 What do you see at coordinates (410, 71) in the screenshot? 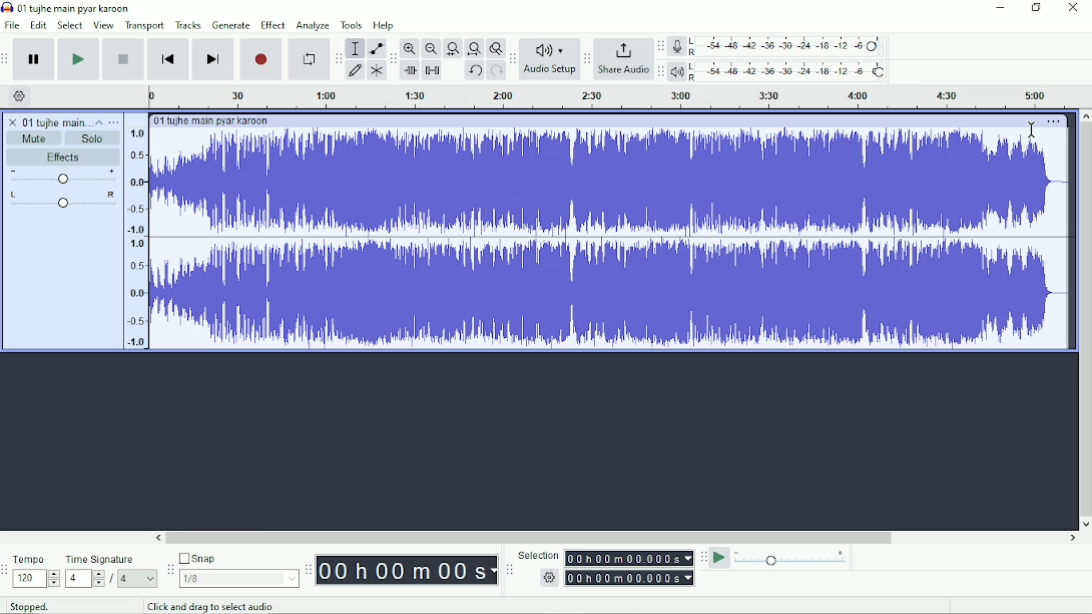
I see `Trim audio outside selection` at bounding box center [410, 71].